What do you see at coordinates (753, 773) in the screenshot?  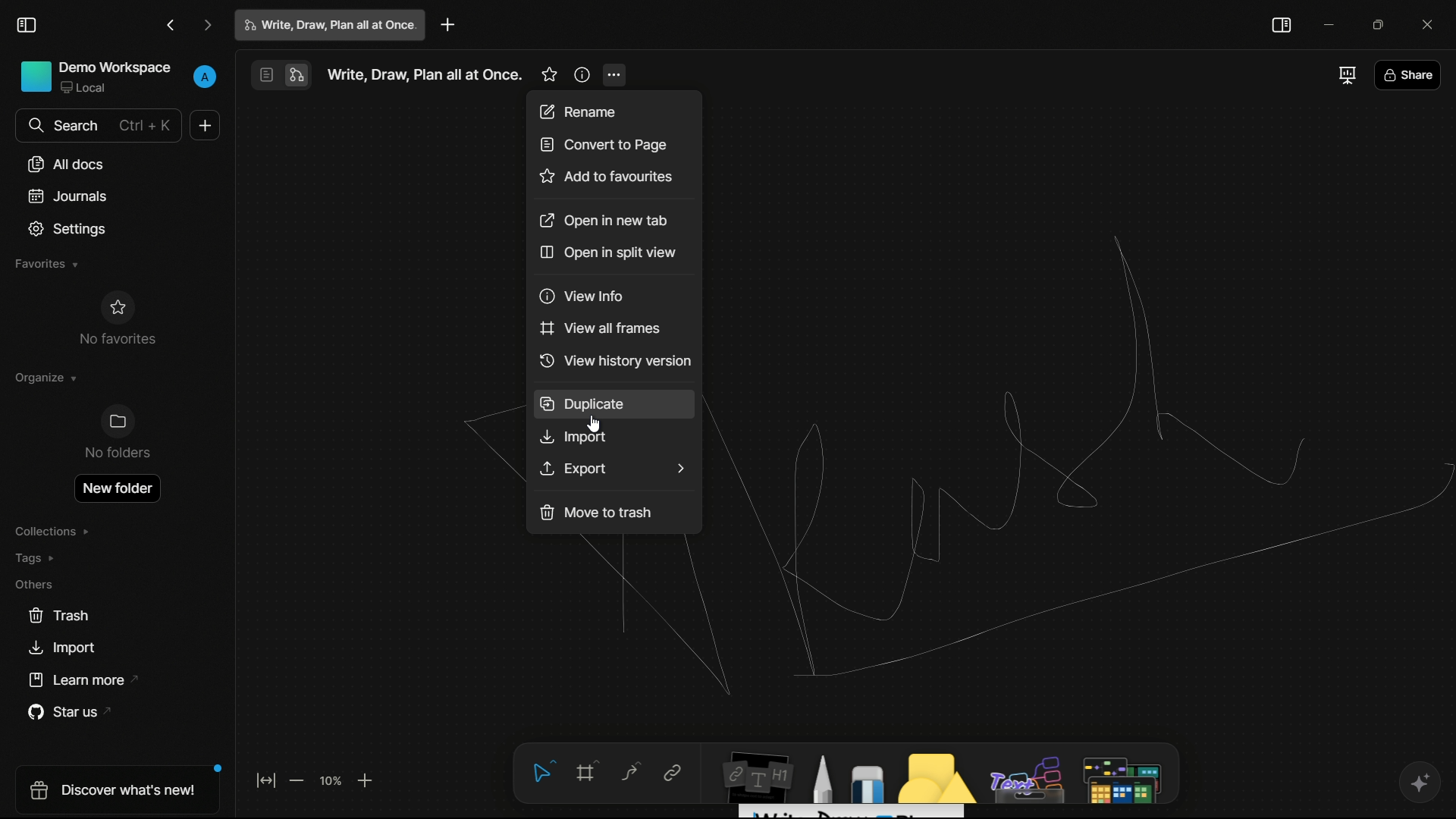 I see `notes` at bounding box center [753, 773].